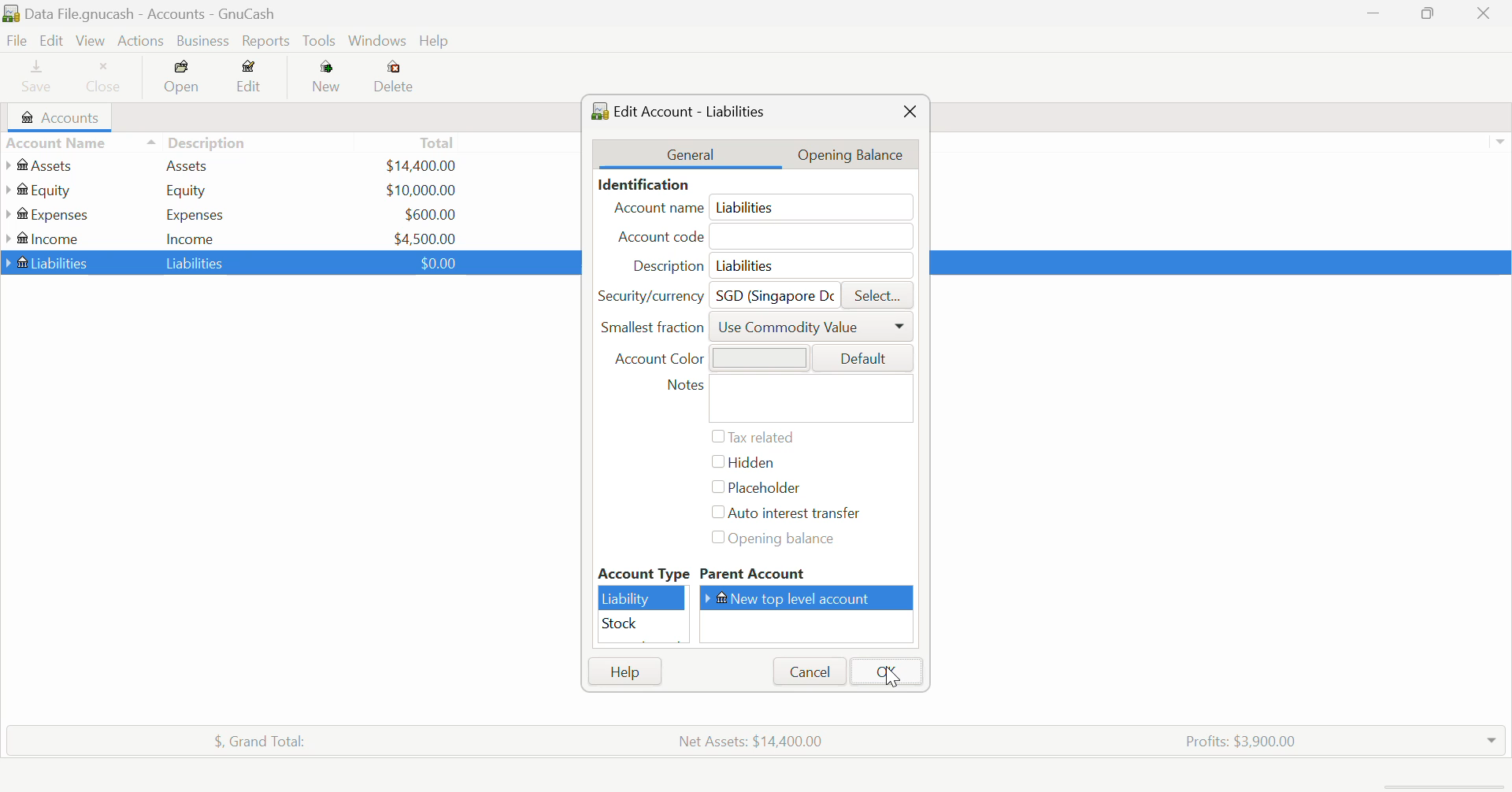 Image resolution: width=1512 pixels, height=792 pixels. Describe the element at coordinates (754, 741) in the screenshot. I see `Net Assets` at that location.